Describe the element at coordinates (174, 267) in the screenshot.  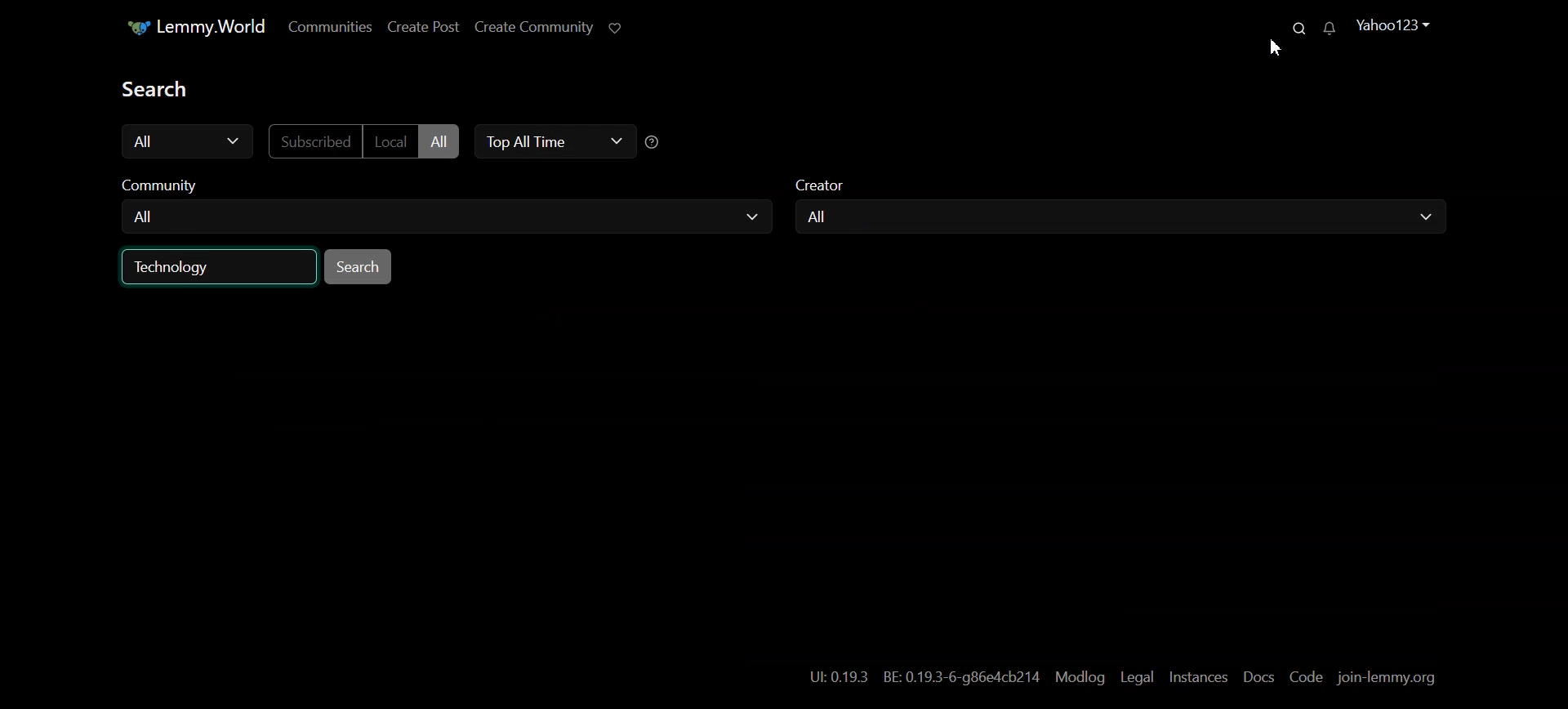
I see `Text` at that location.